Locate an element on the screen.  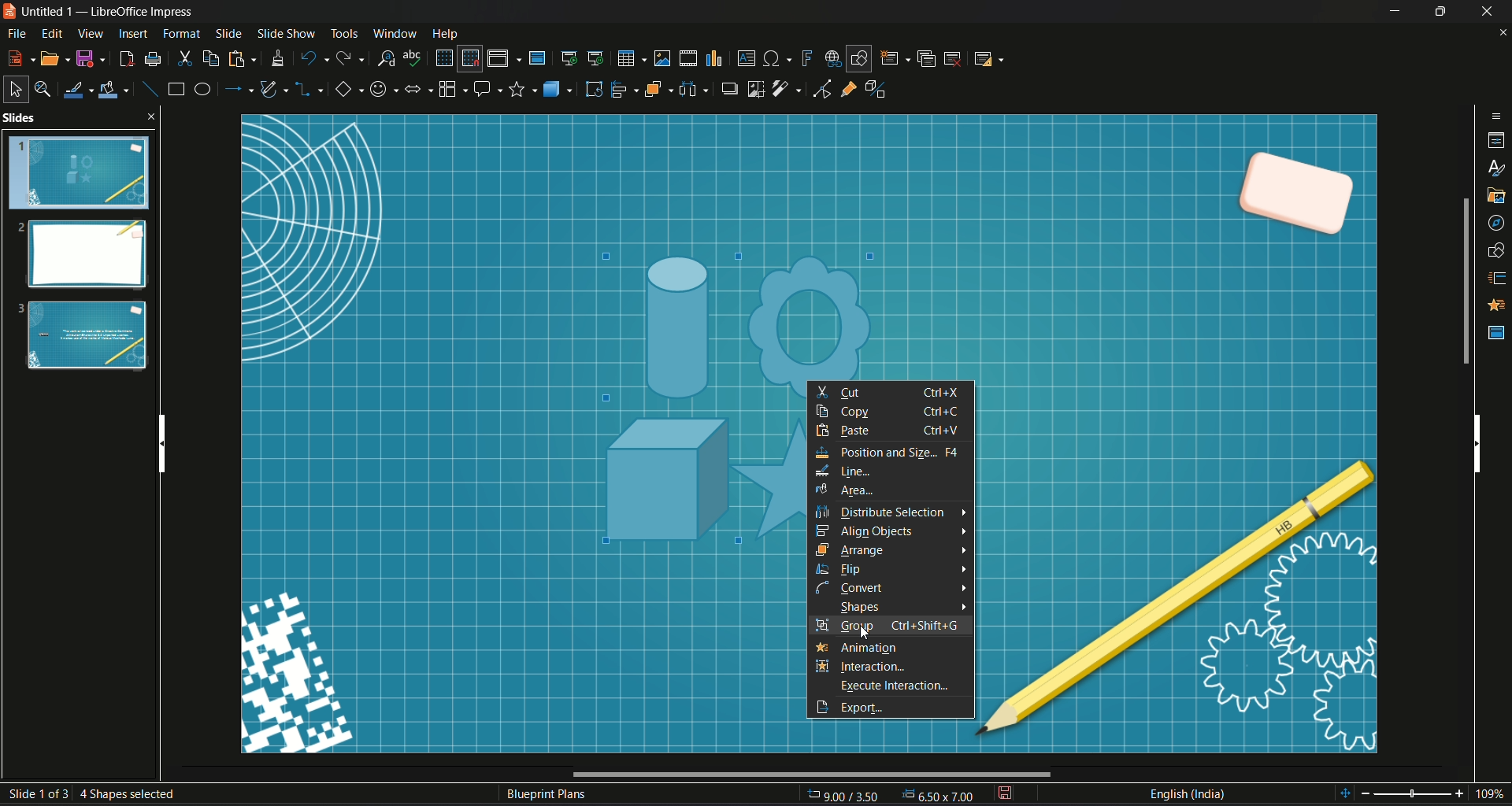
Logo and name is located at coordinates (102, 13).